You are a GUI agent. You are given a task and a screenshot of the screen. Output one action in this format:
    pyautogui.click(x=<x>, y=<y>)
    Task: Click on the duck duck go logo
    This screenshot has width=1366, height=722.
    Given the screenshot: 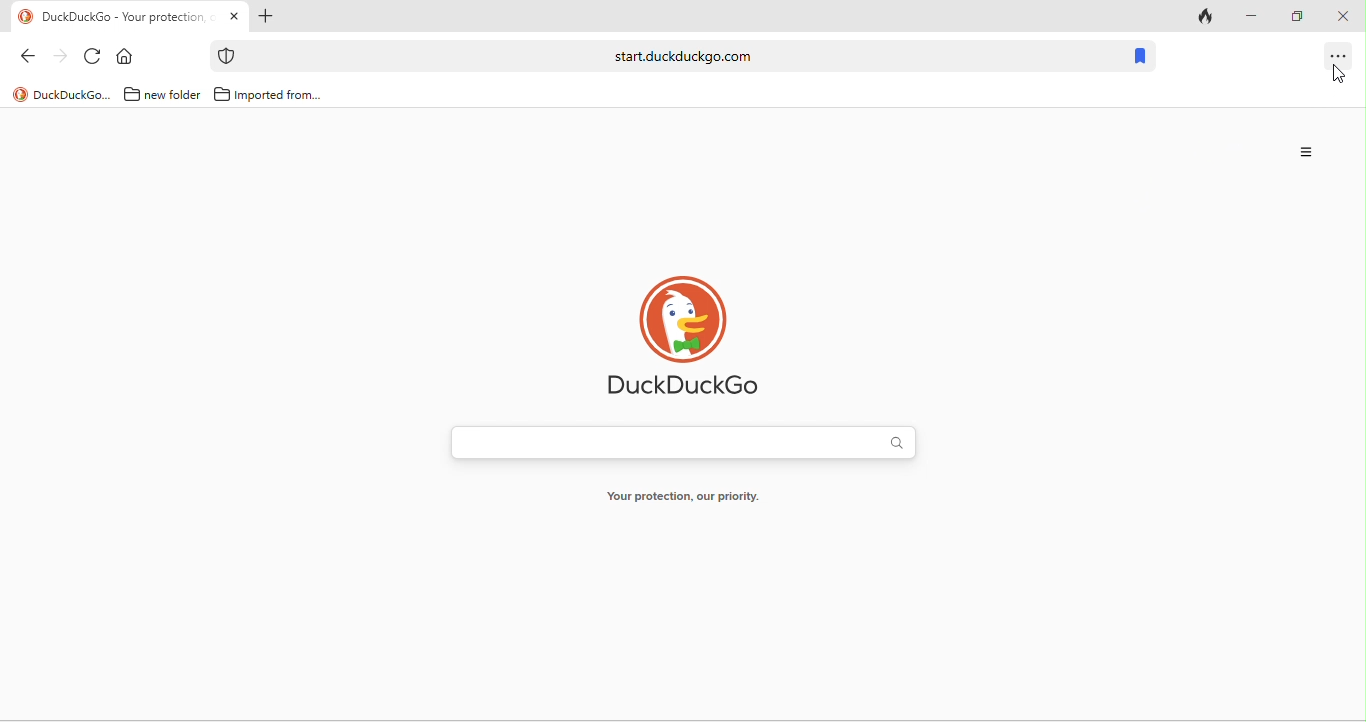 What is the action you would take?
    pyautogui.click(x=694, y=341)
    